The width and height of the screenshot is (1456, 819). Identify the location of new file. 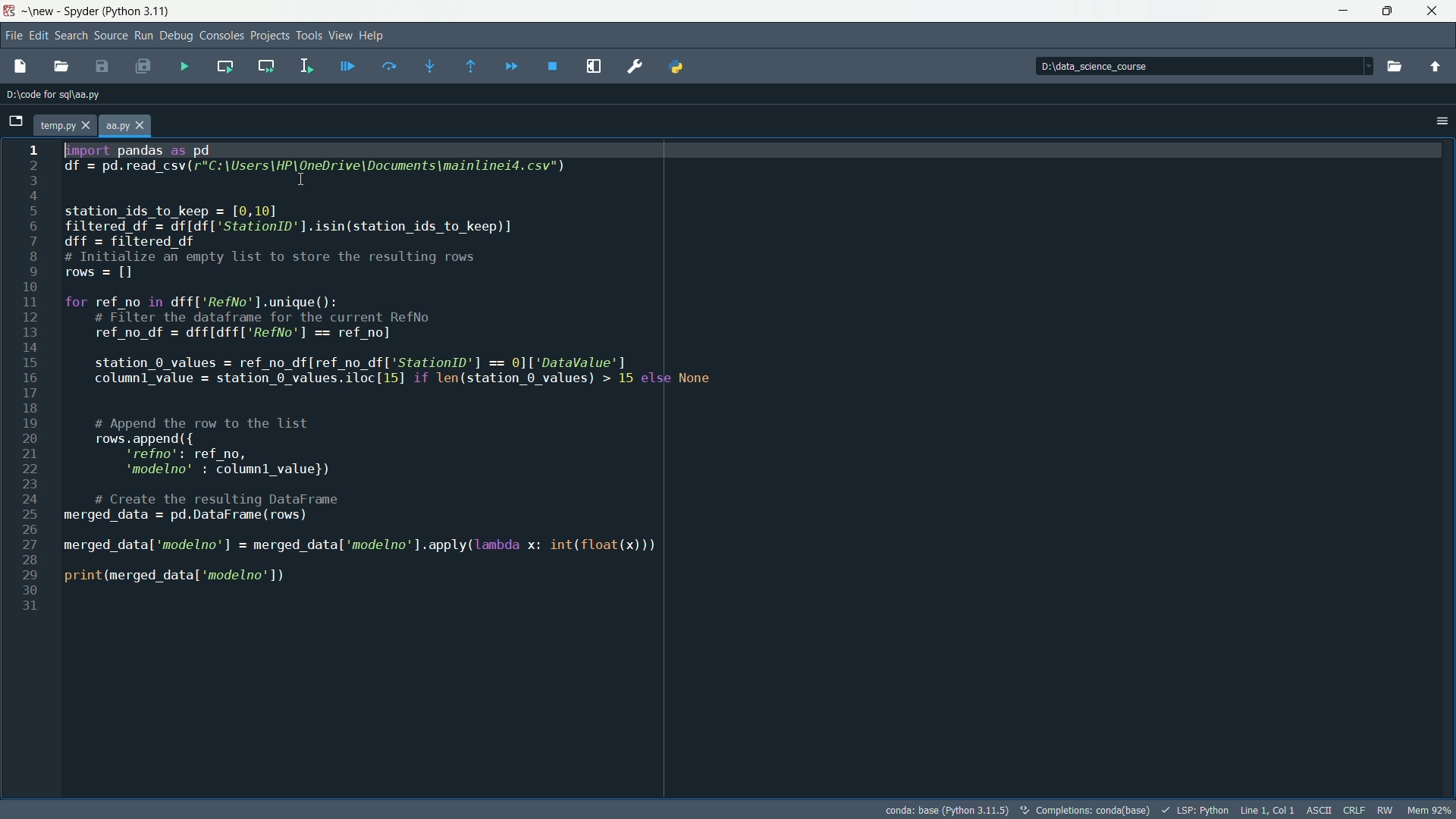
(20, 67).